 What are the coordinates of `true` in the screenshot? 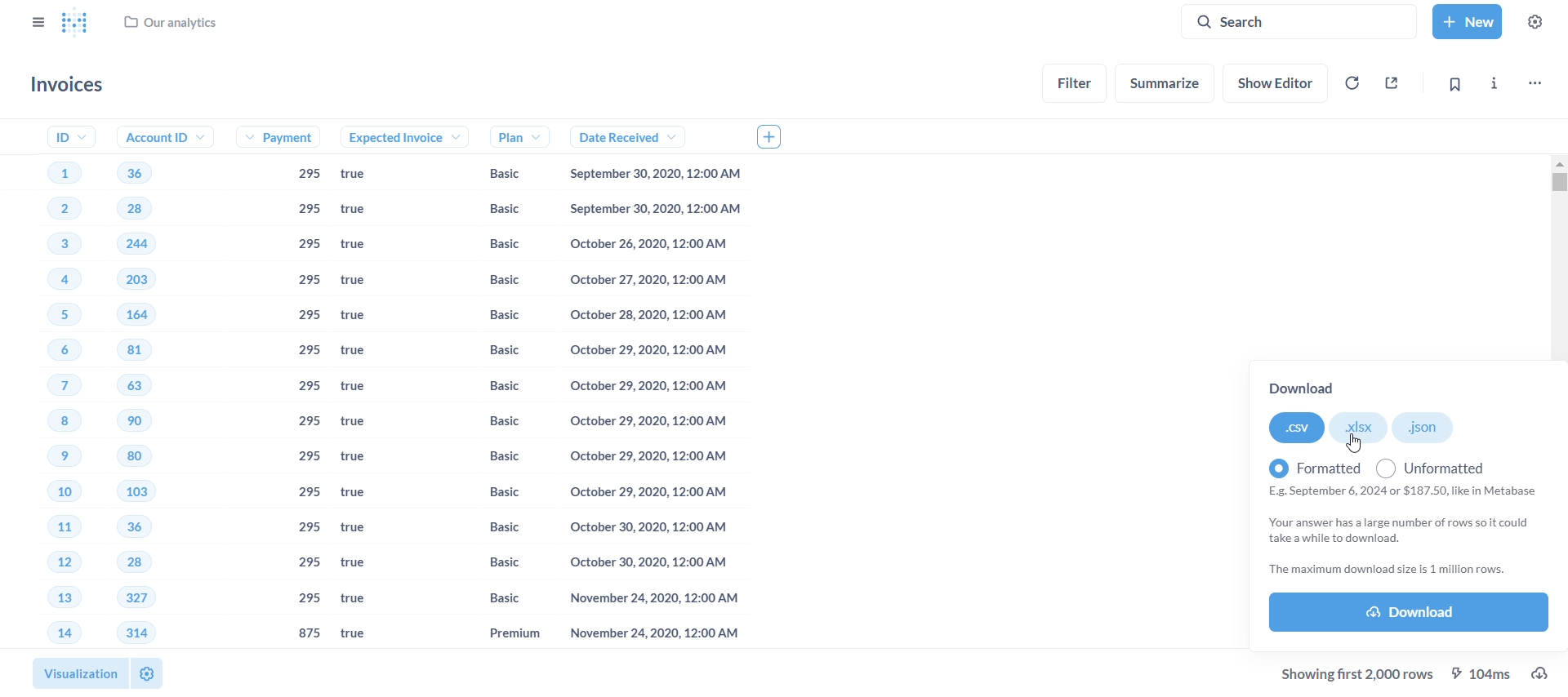 It's located at (365, 316).